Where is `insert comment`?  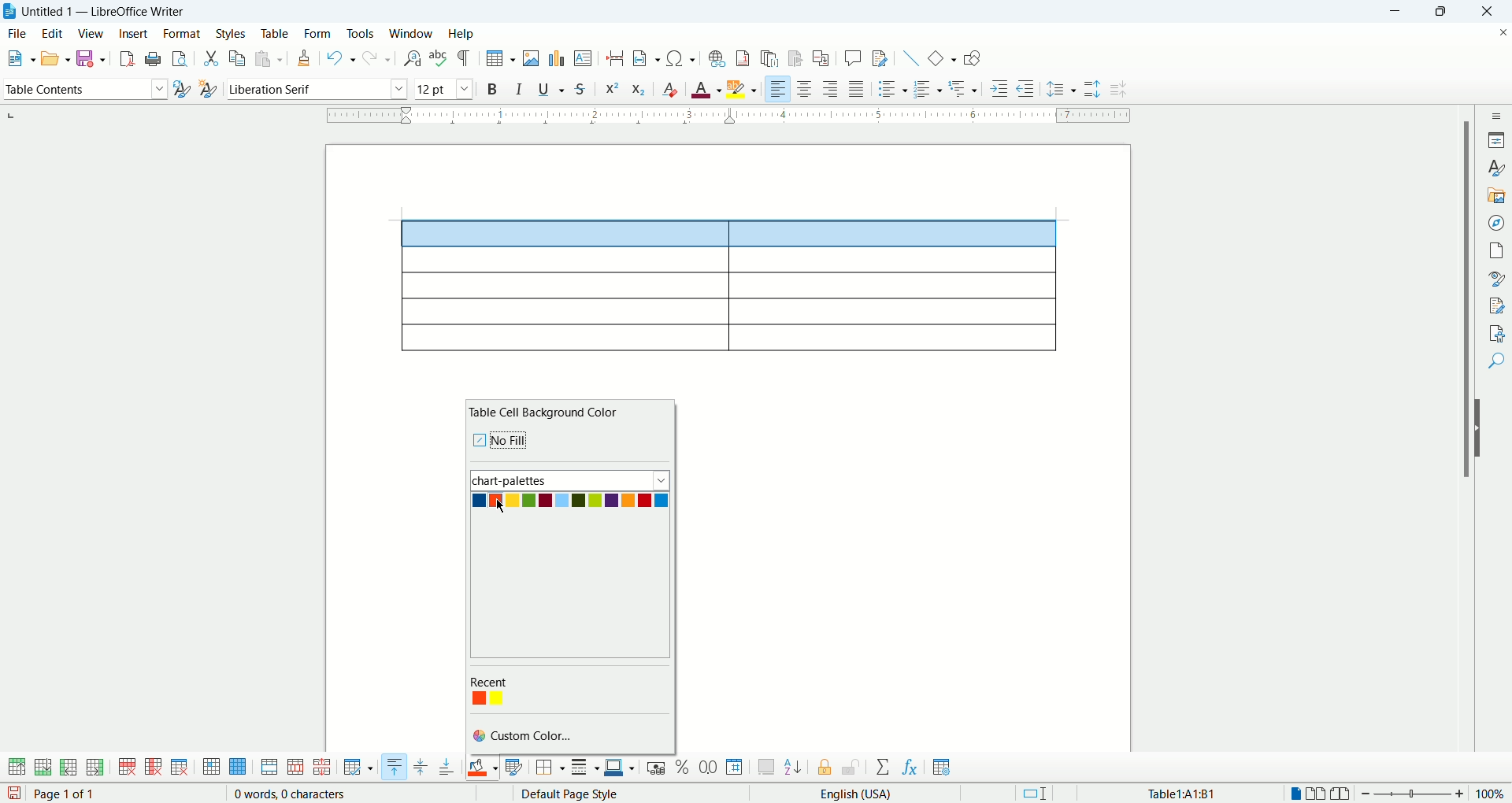 insert comment is located at coordinates (856, 57).